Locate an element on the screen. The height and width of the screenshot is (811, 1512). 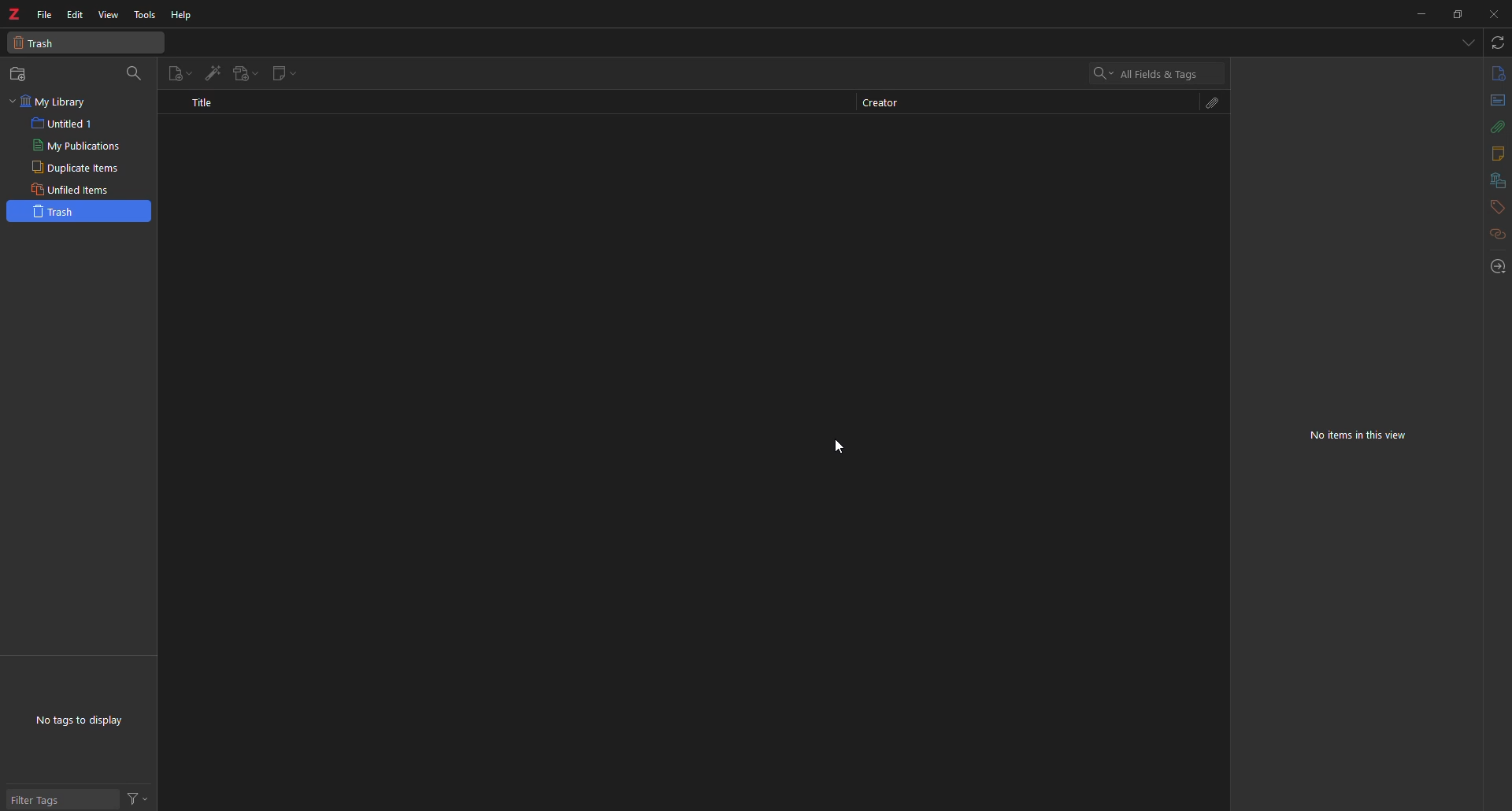
title is located at coordinates (203, 102).